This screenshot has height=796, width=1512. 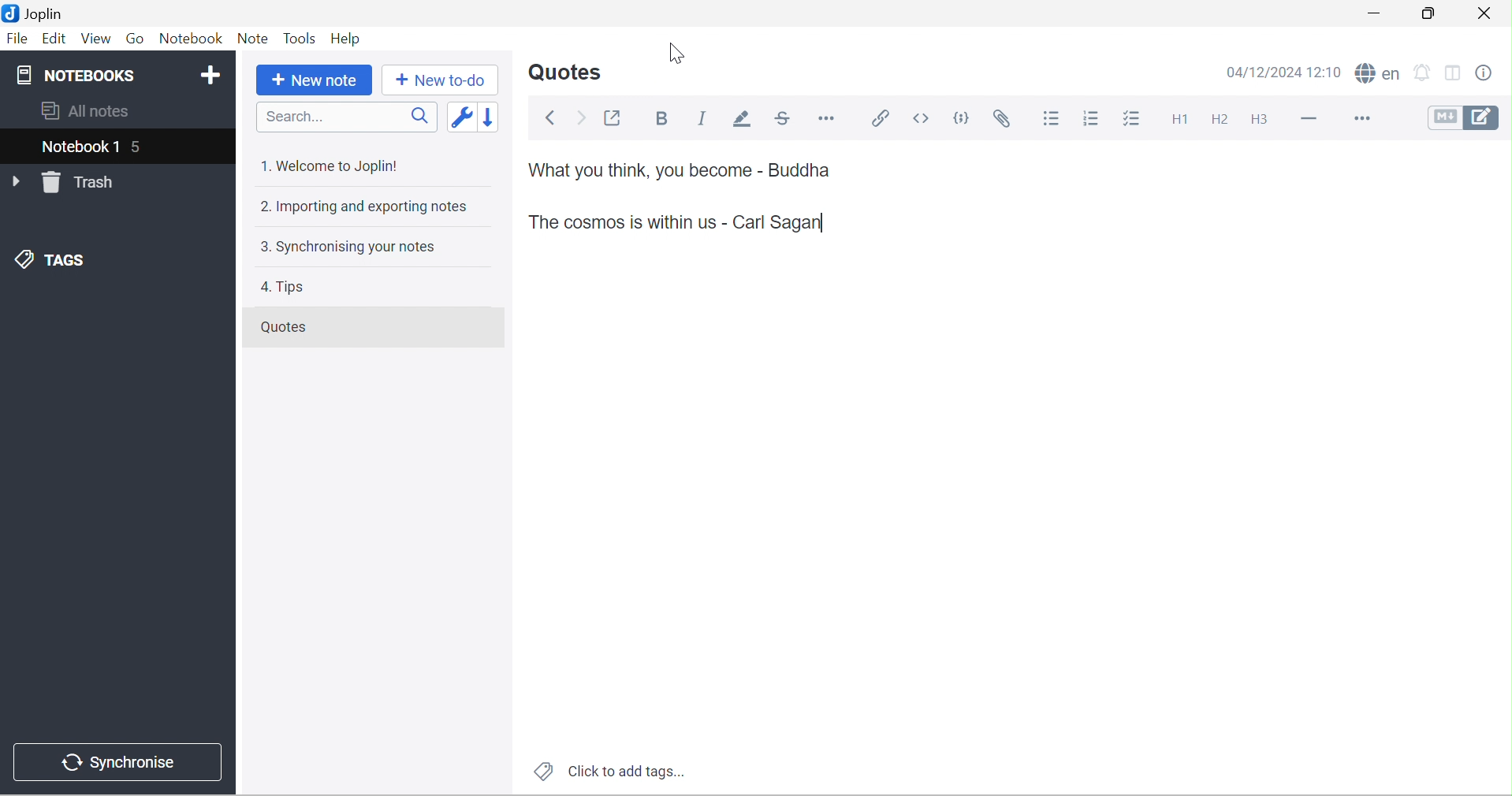 I want to click on Reverse sort order, so click(x=492, y=114).